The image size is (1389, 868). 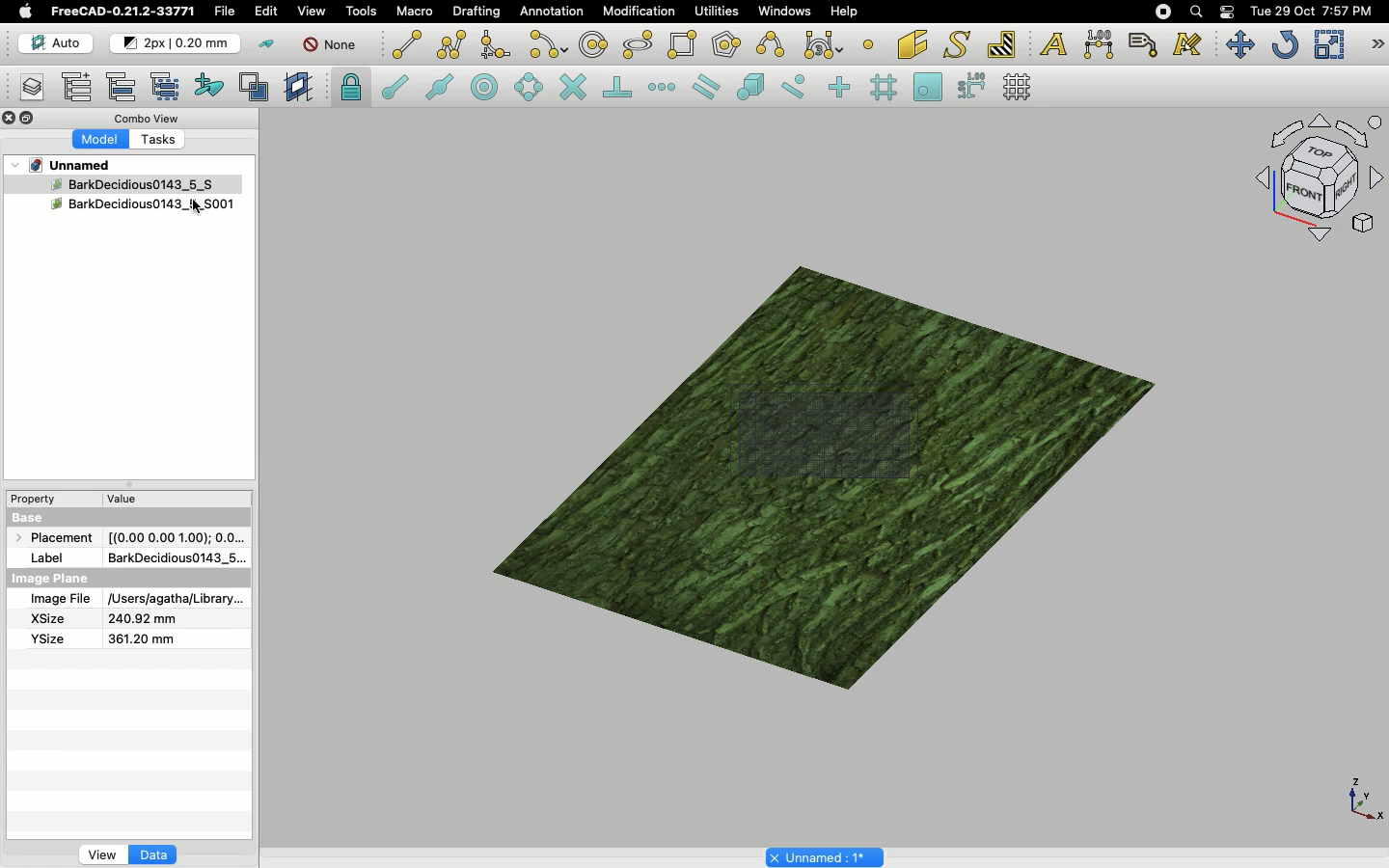 What do you see at coordinates (885, 88) in the screenshot?
I see `Snap grid` at bounding box center [885, 88].